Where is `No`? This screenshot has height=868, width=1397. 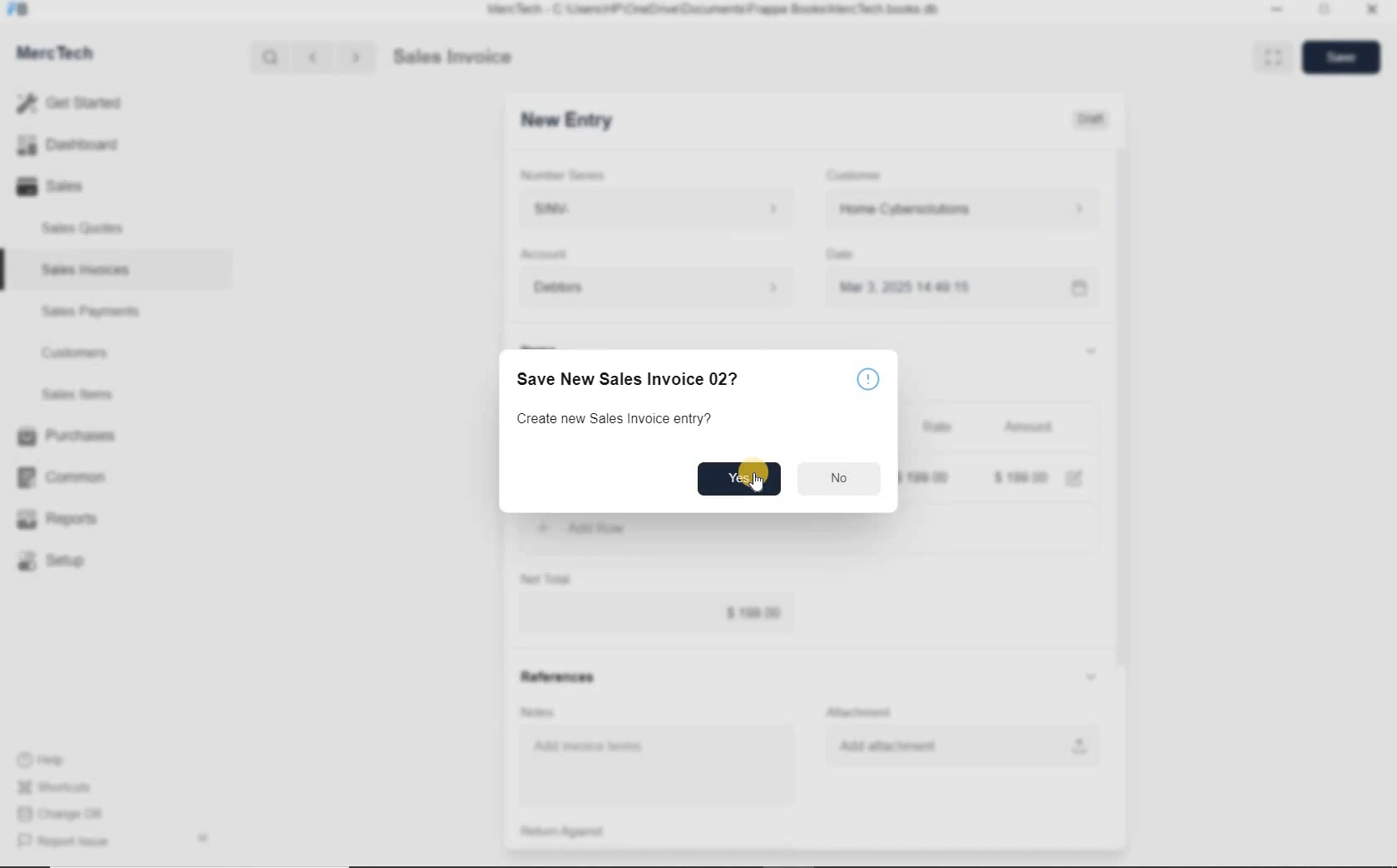
No is located at coordinates (840, 476).